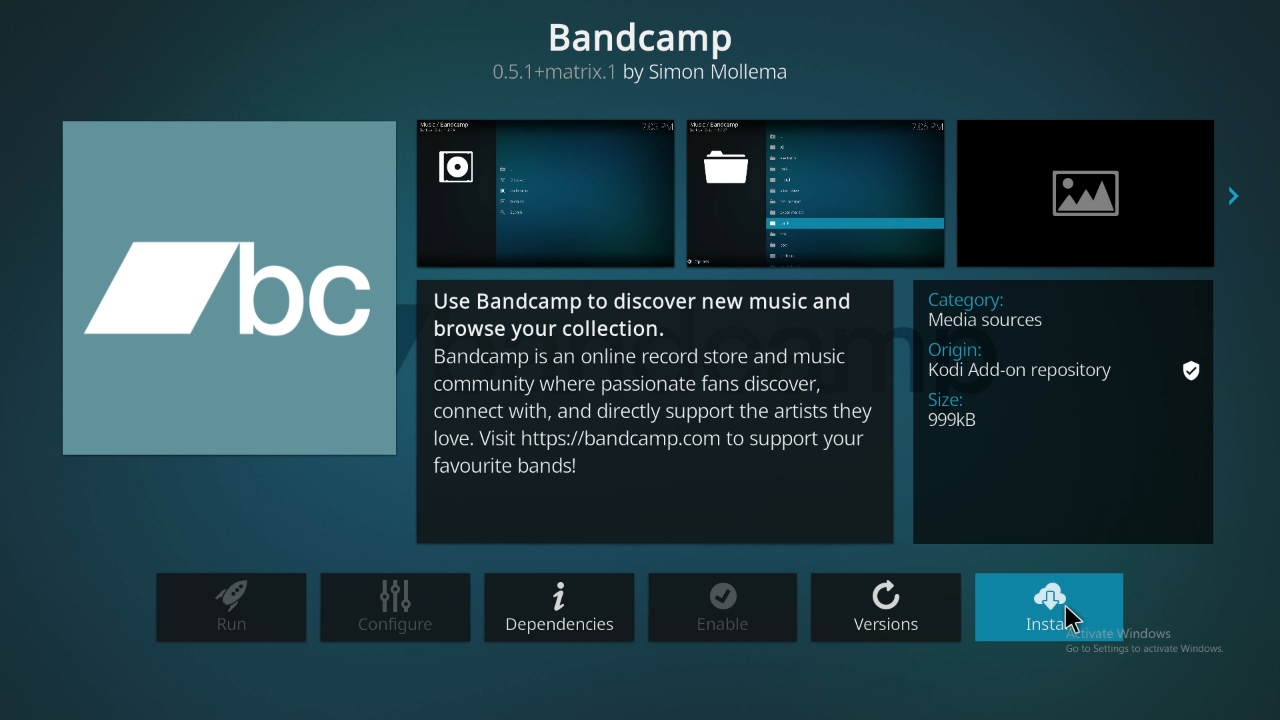 This screenshot has height=720, width=1280. What do you see at coordinates (396, 606) in the screenshot?
I see `configure` at bounding box center [396, 606].